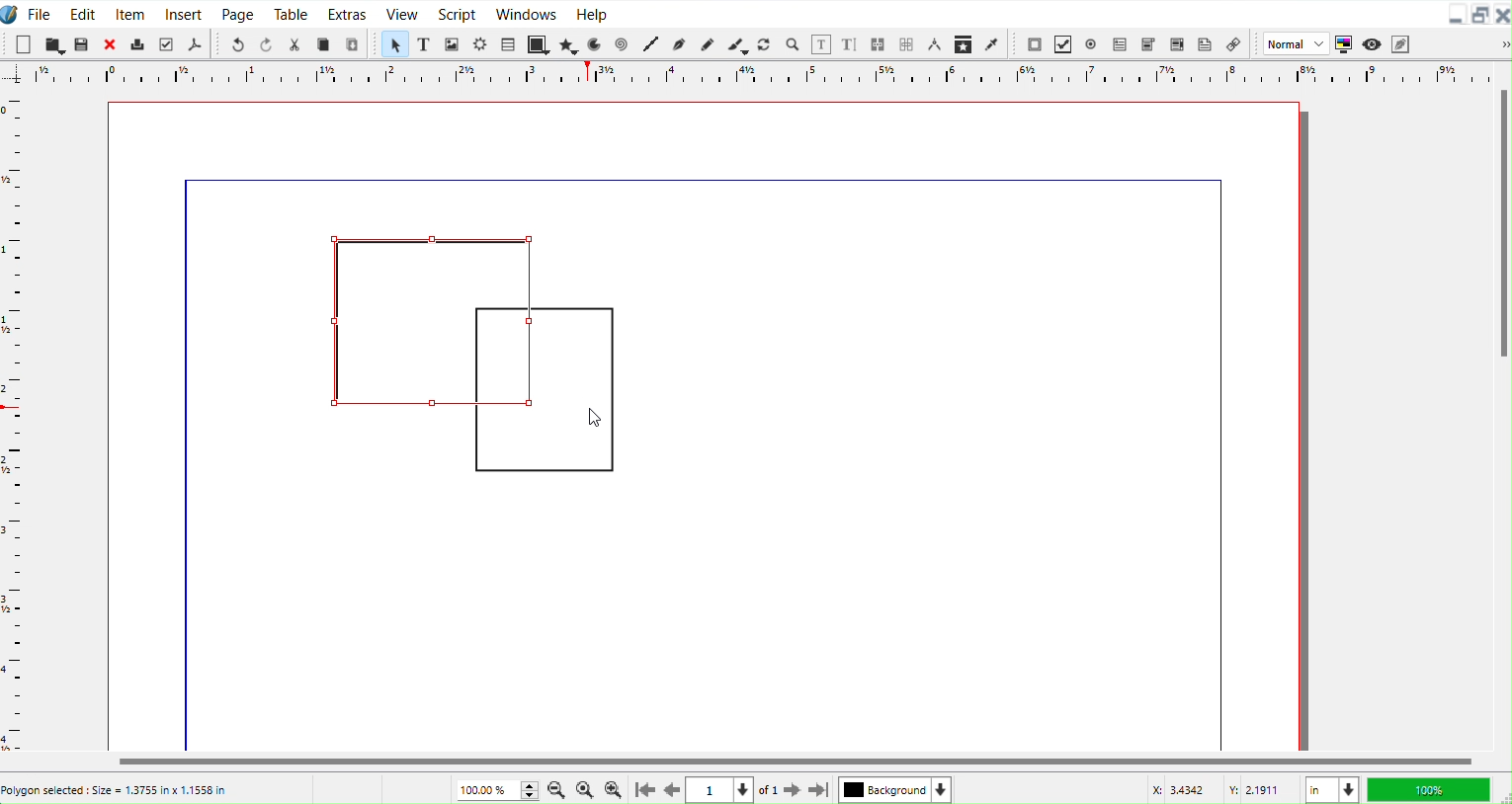 This screenshot has width=1512, height=804. What do you see at coordinates (755, 762) in the screenshot?
I see `Horizontal Scroll bar` at bounding box center [755, 762].